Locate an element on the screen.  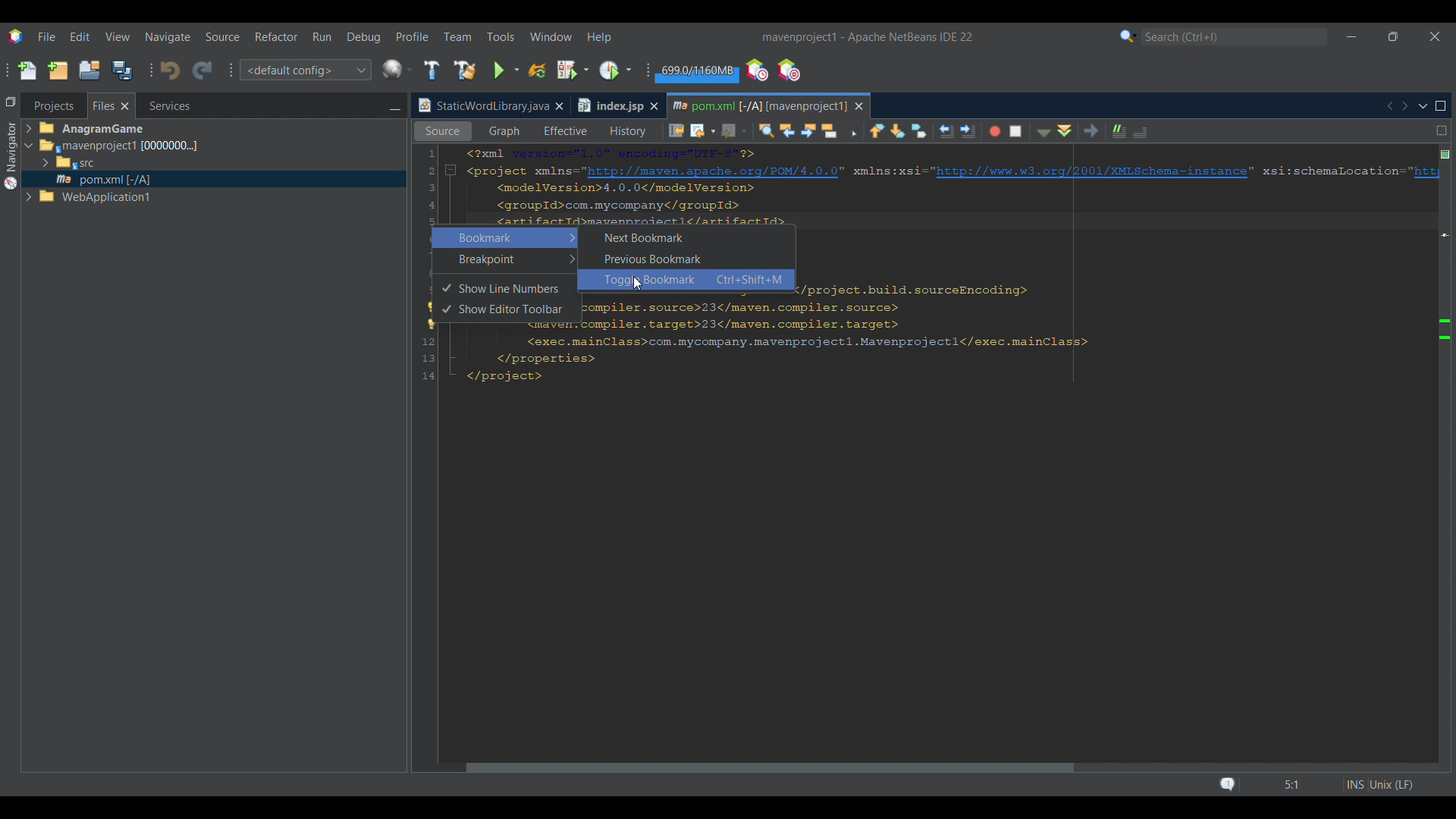
Markers is located at coordinates (1444, 666).